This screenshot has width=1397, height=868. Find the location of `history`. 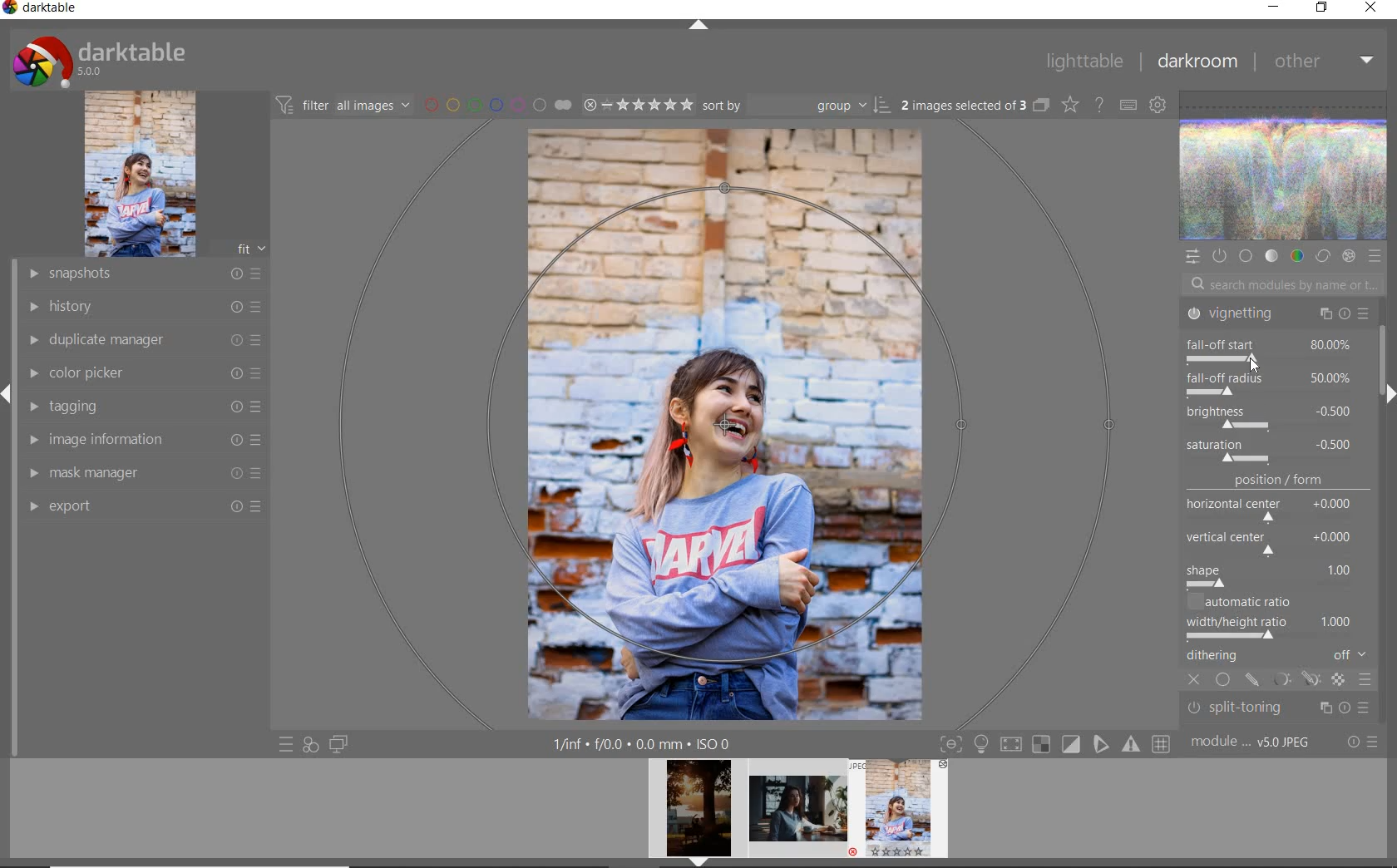

history is located at coordinates (144, 305).